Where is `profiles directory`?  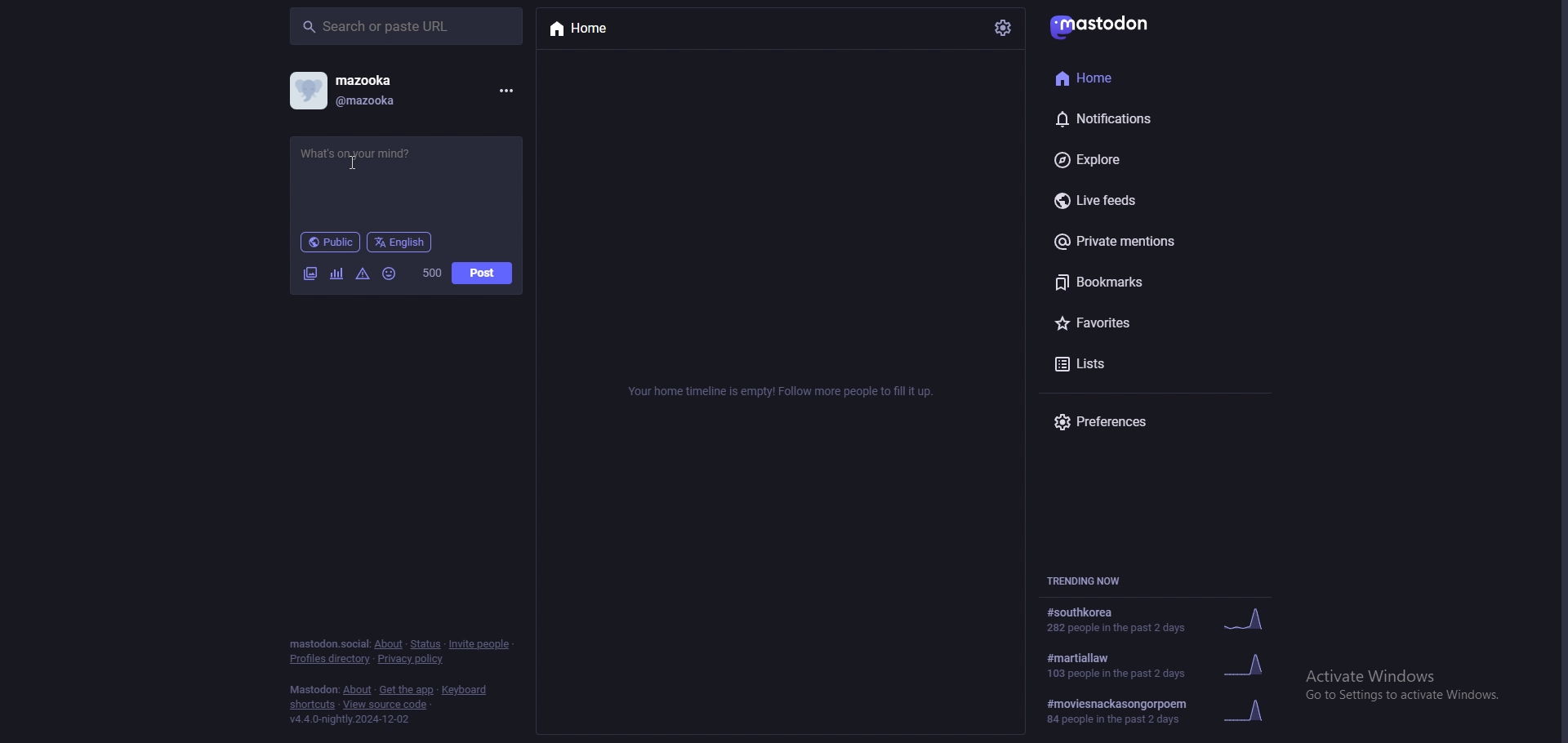 profiles directory is located at coordinates (327, 659).